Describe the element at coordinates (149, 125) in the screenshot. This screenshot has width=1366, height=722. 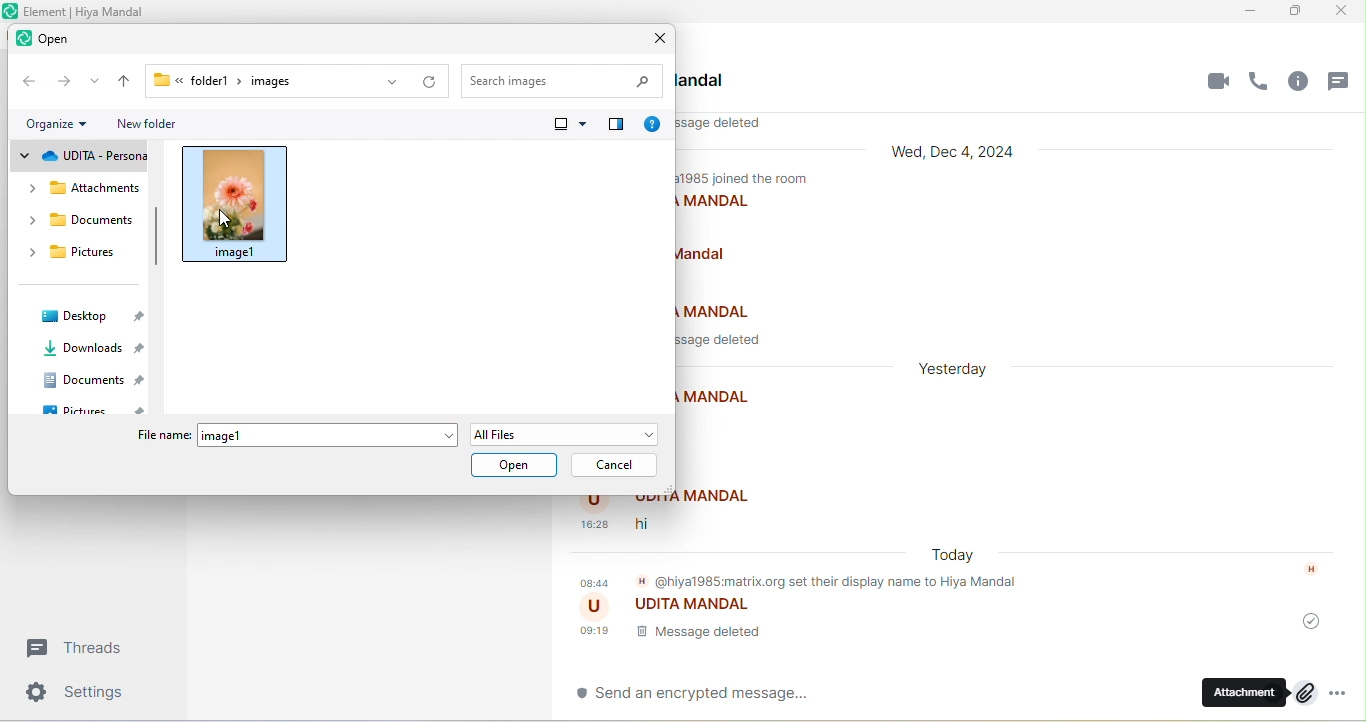
I see `new folder` at that location.